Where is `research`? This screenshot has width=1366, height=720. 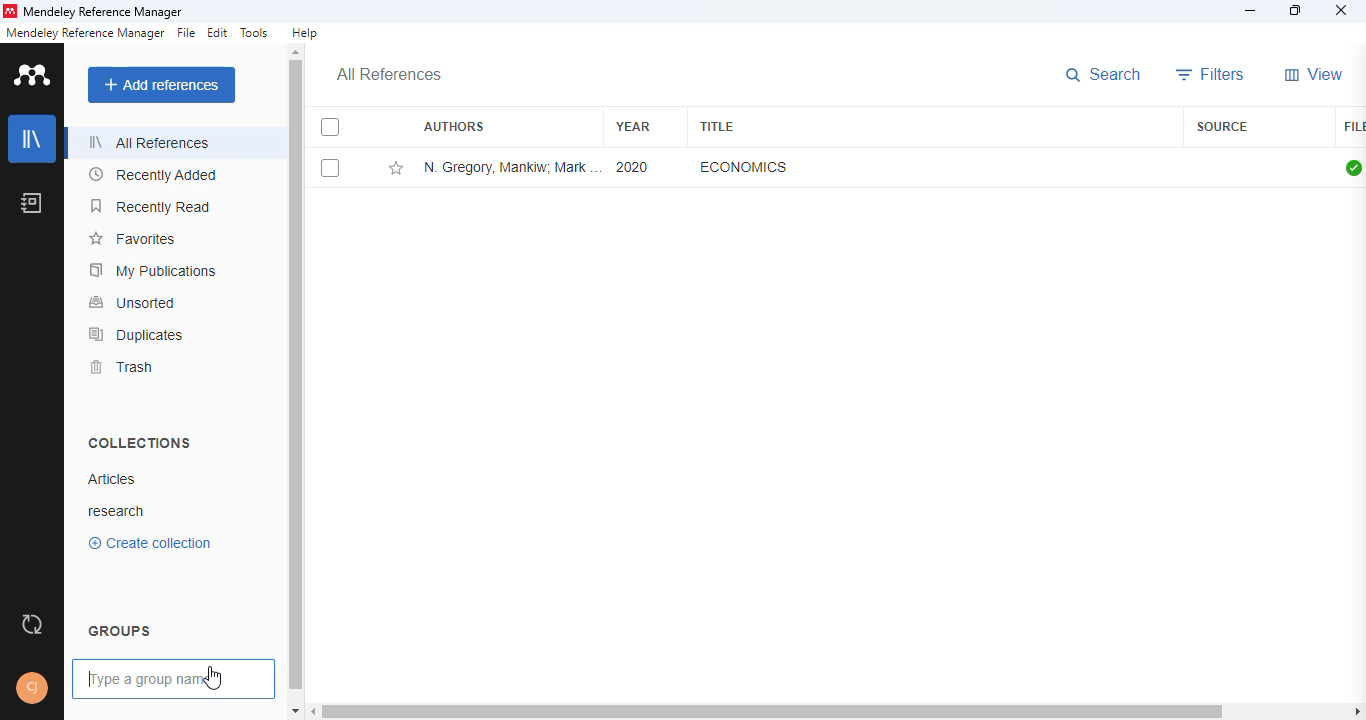
research is located at coordinates (116, 511).